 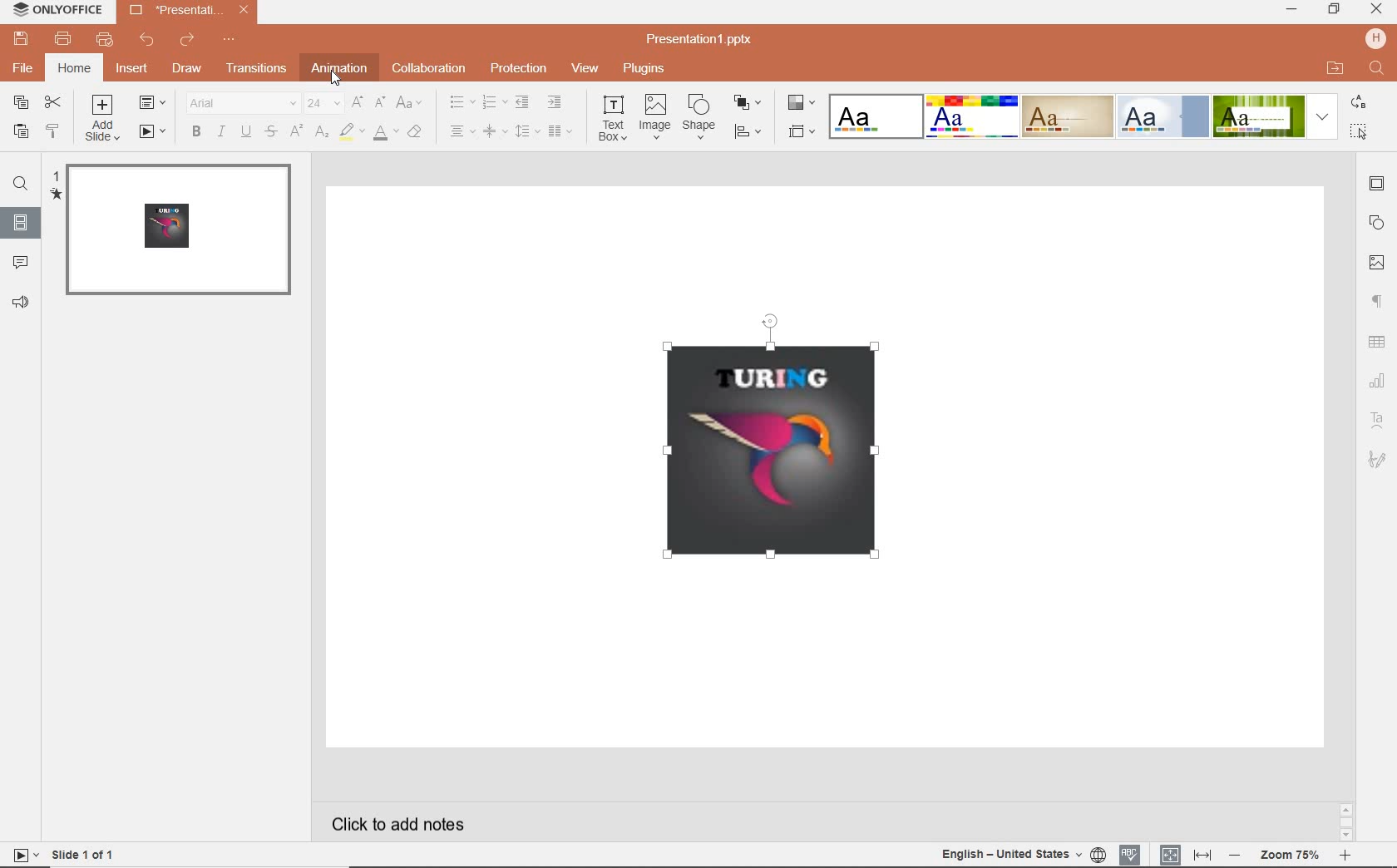 I want to click on expand, so click(x=1324, y=118).